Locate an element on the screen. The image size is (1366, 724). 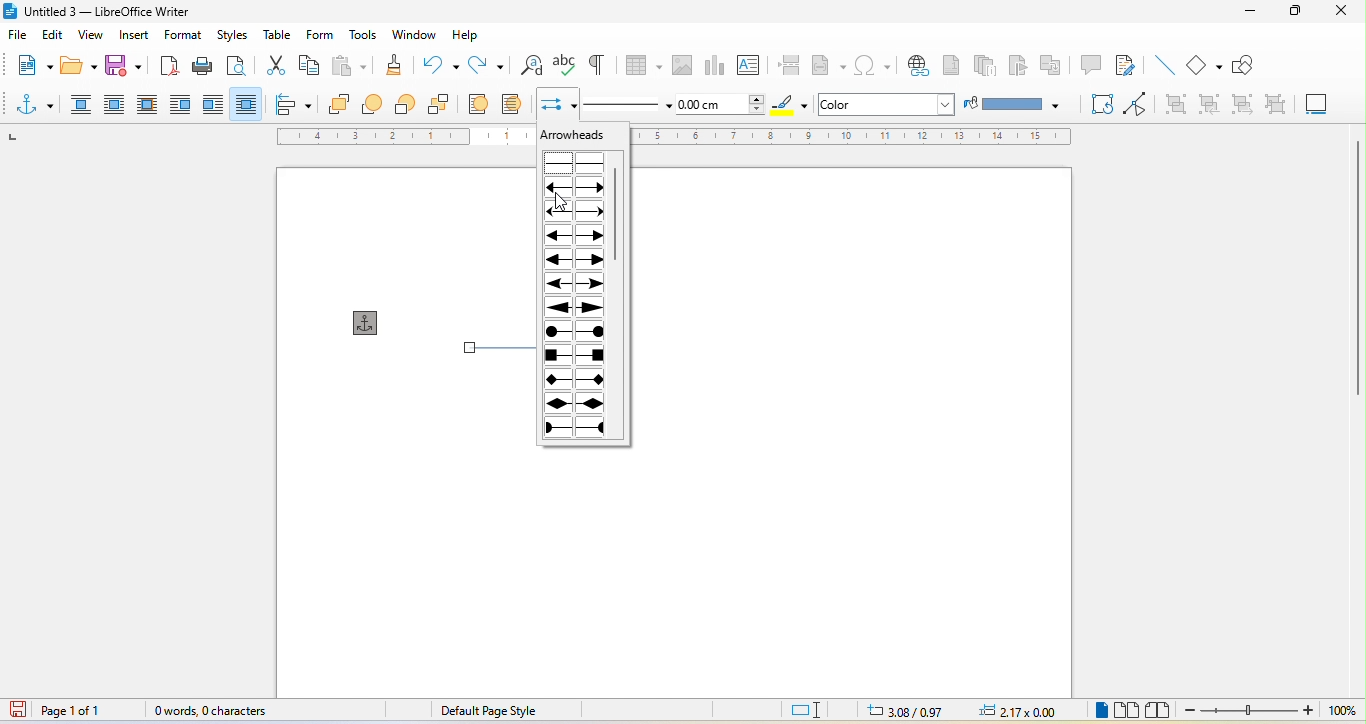
through is located at coordinates (245, 102).